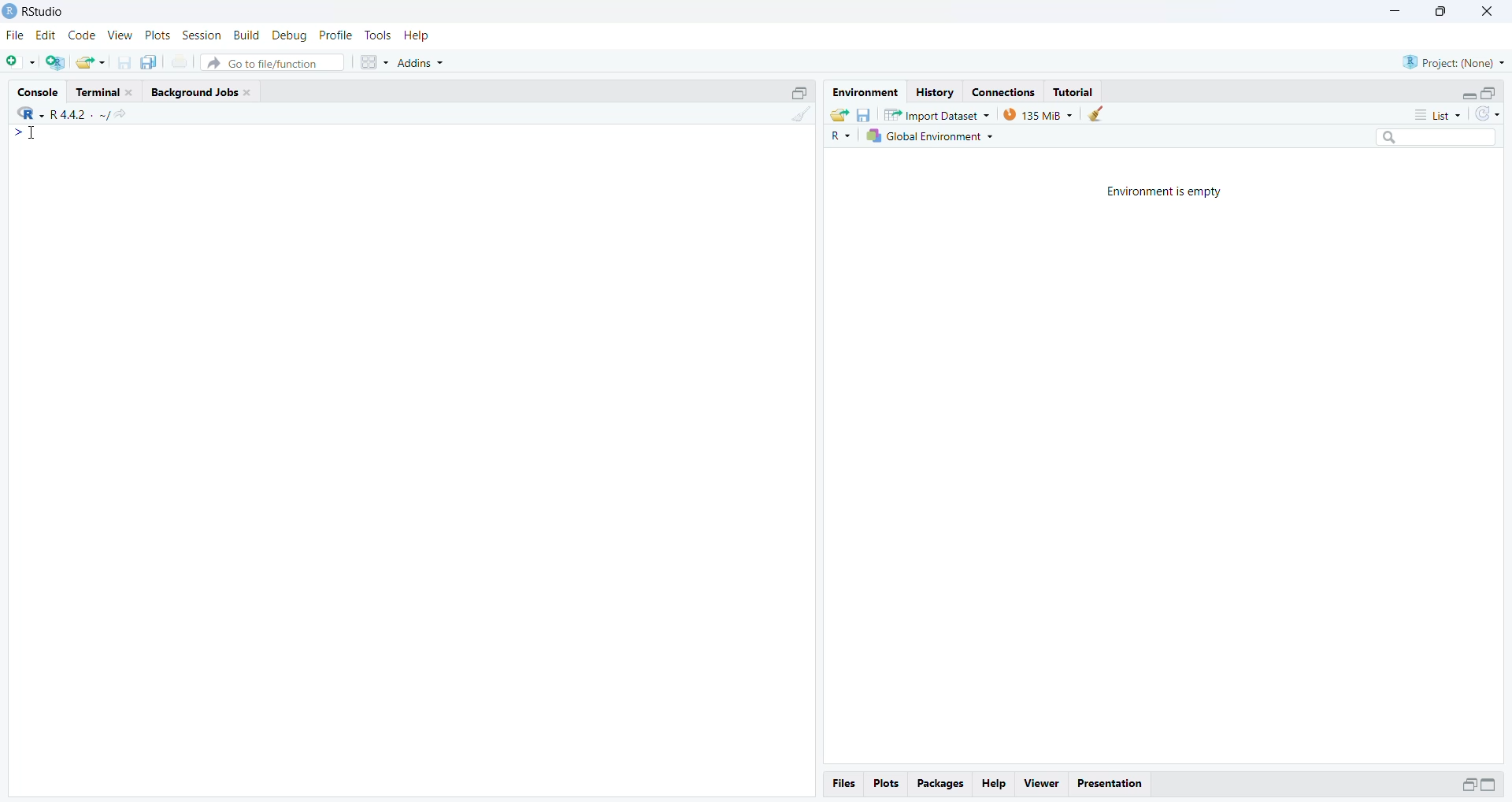  Describe the element at coordinates (842, 136) in the screenshot. I see `R` at that location.